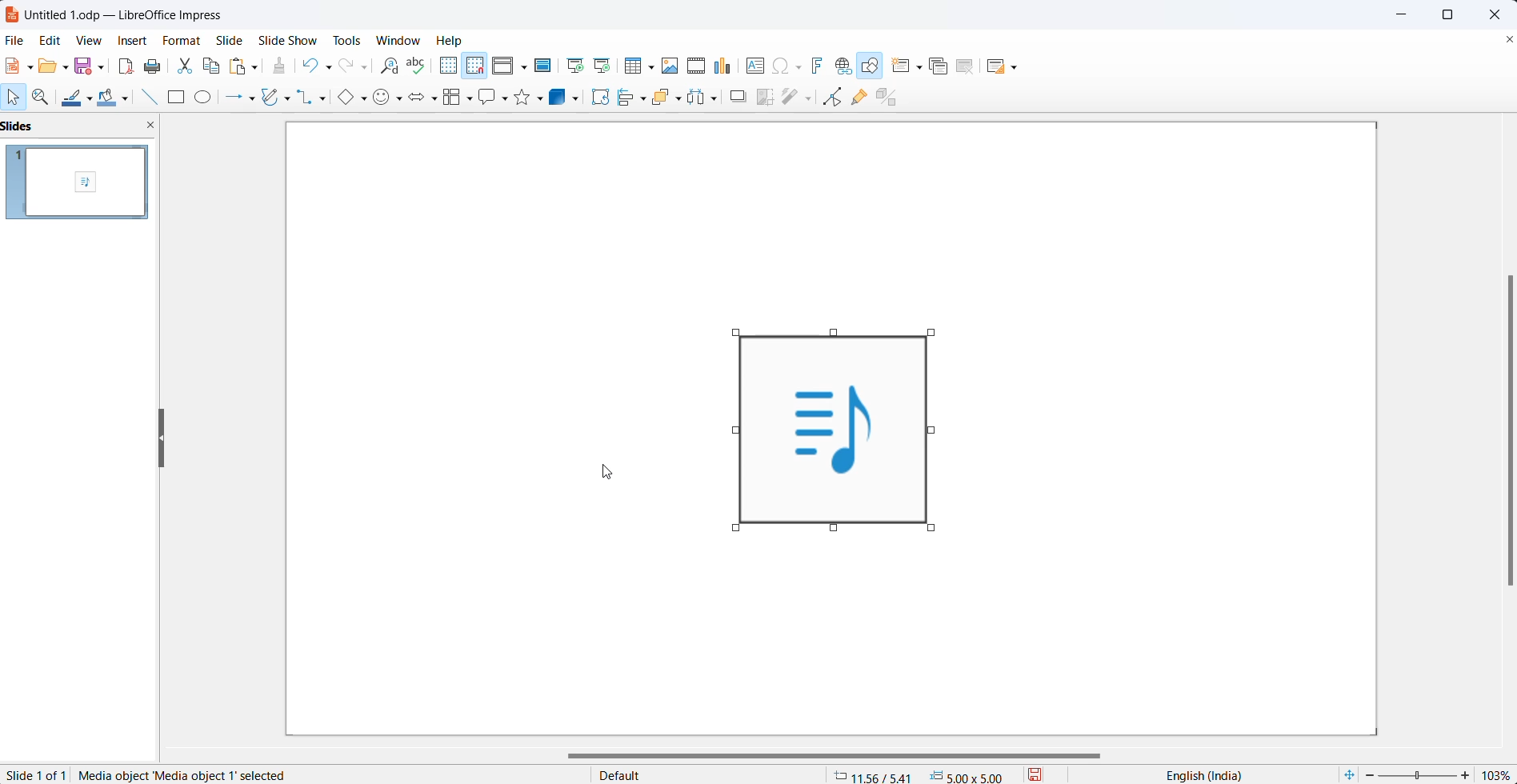 The image size is (1517, 784). I want to click on insert image, so click(672, 66).